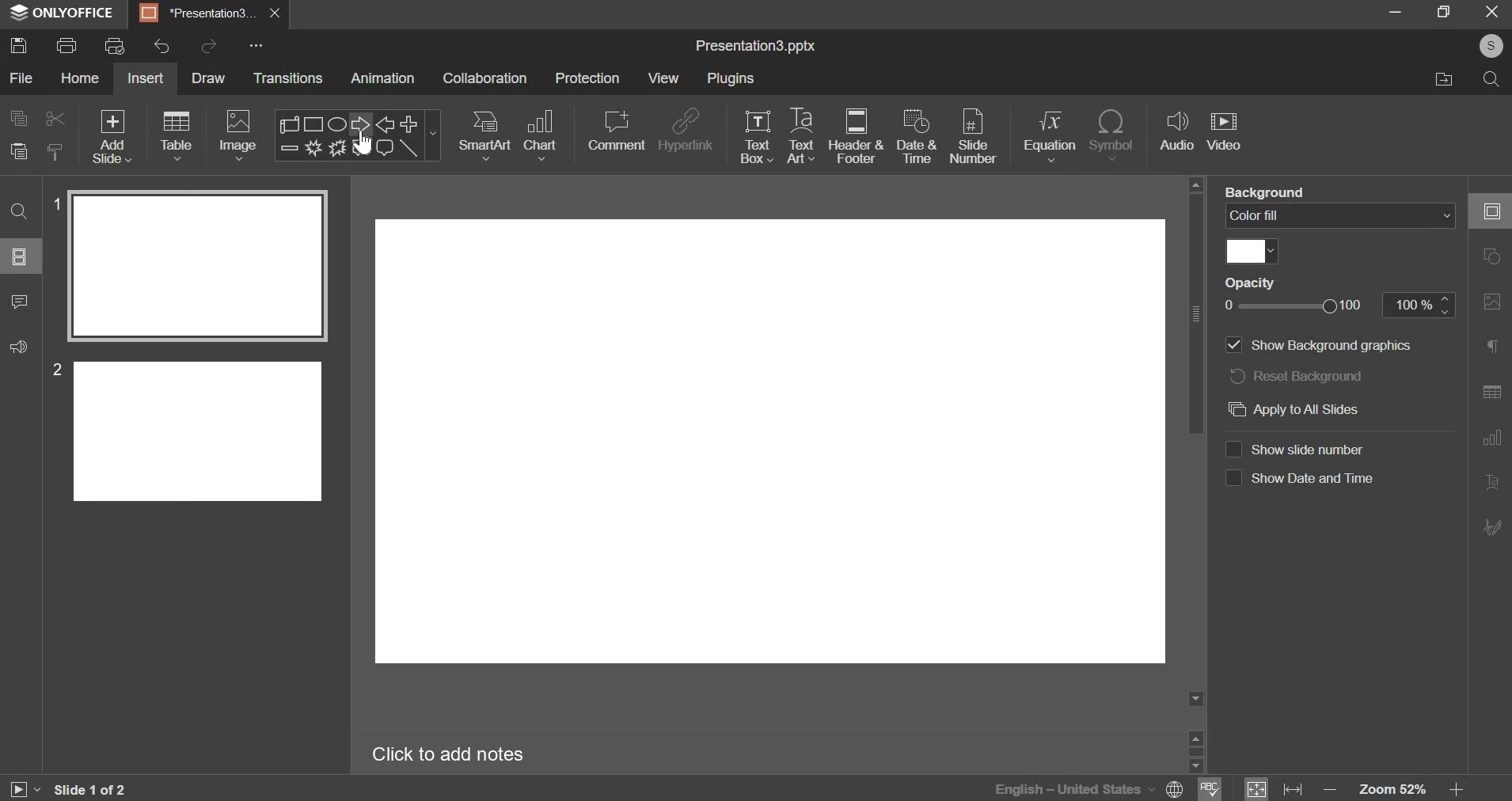 The width and height of the screenshot is (1512, 801). I want to click on Chart settings, so click(1492, 438).